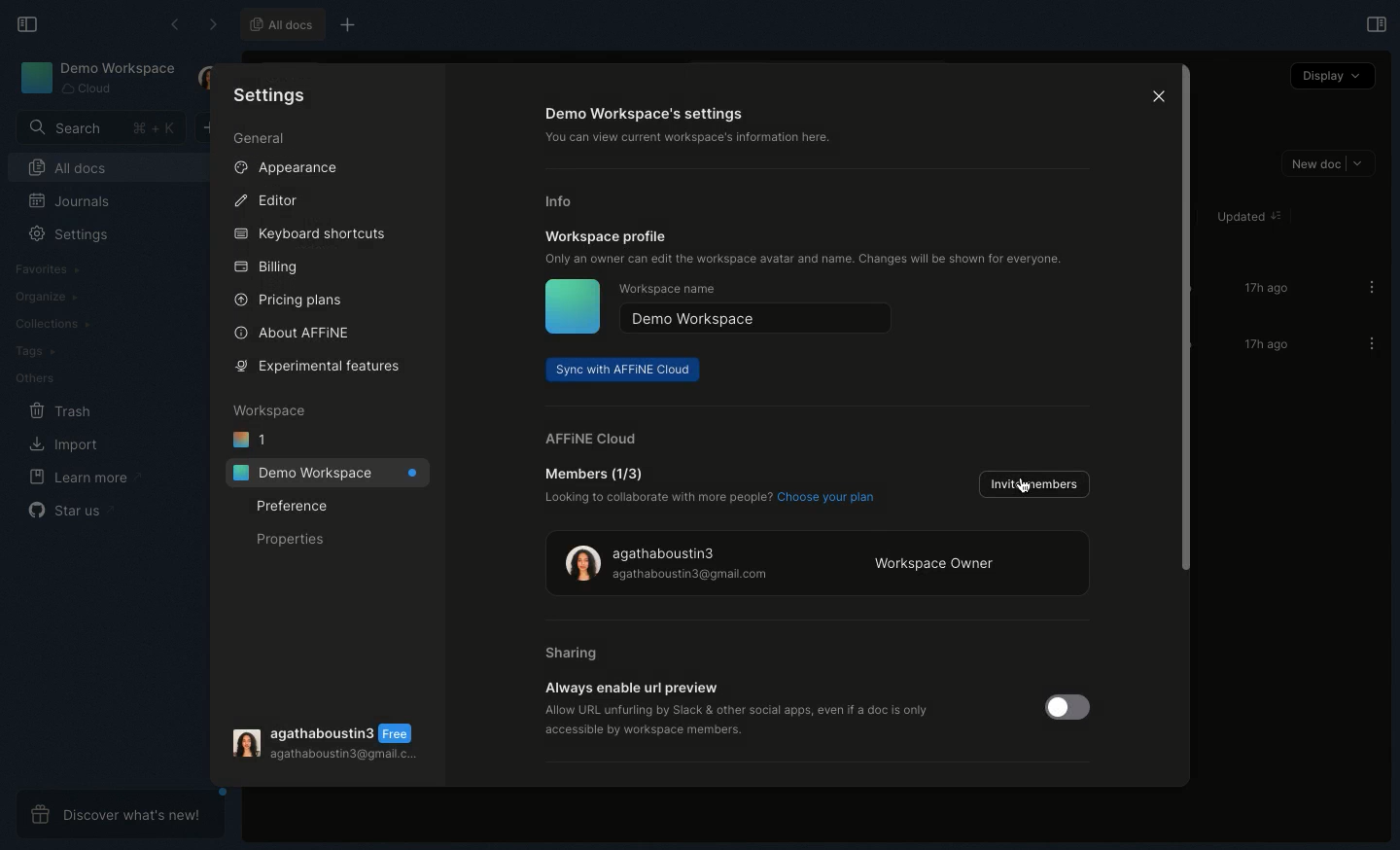 This screenshot has height=850, width=1400. Describe the element at coordinates (71, 233) in the screenshot. I see `Settings` at that location.